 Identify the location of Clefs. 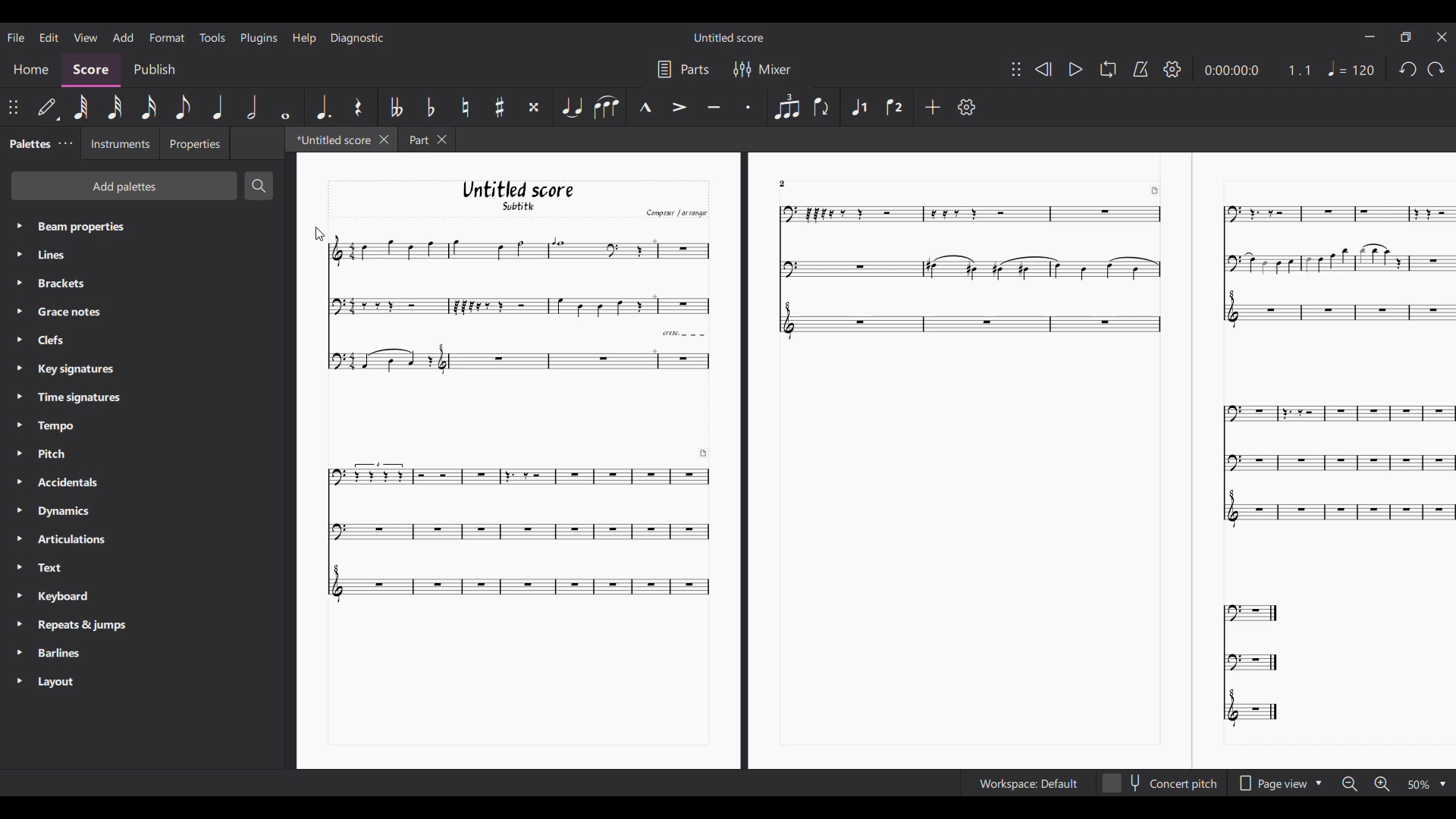
(64, 340).